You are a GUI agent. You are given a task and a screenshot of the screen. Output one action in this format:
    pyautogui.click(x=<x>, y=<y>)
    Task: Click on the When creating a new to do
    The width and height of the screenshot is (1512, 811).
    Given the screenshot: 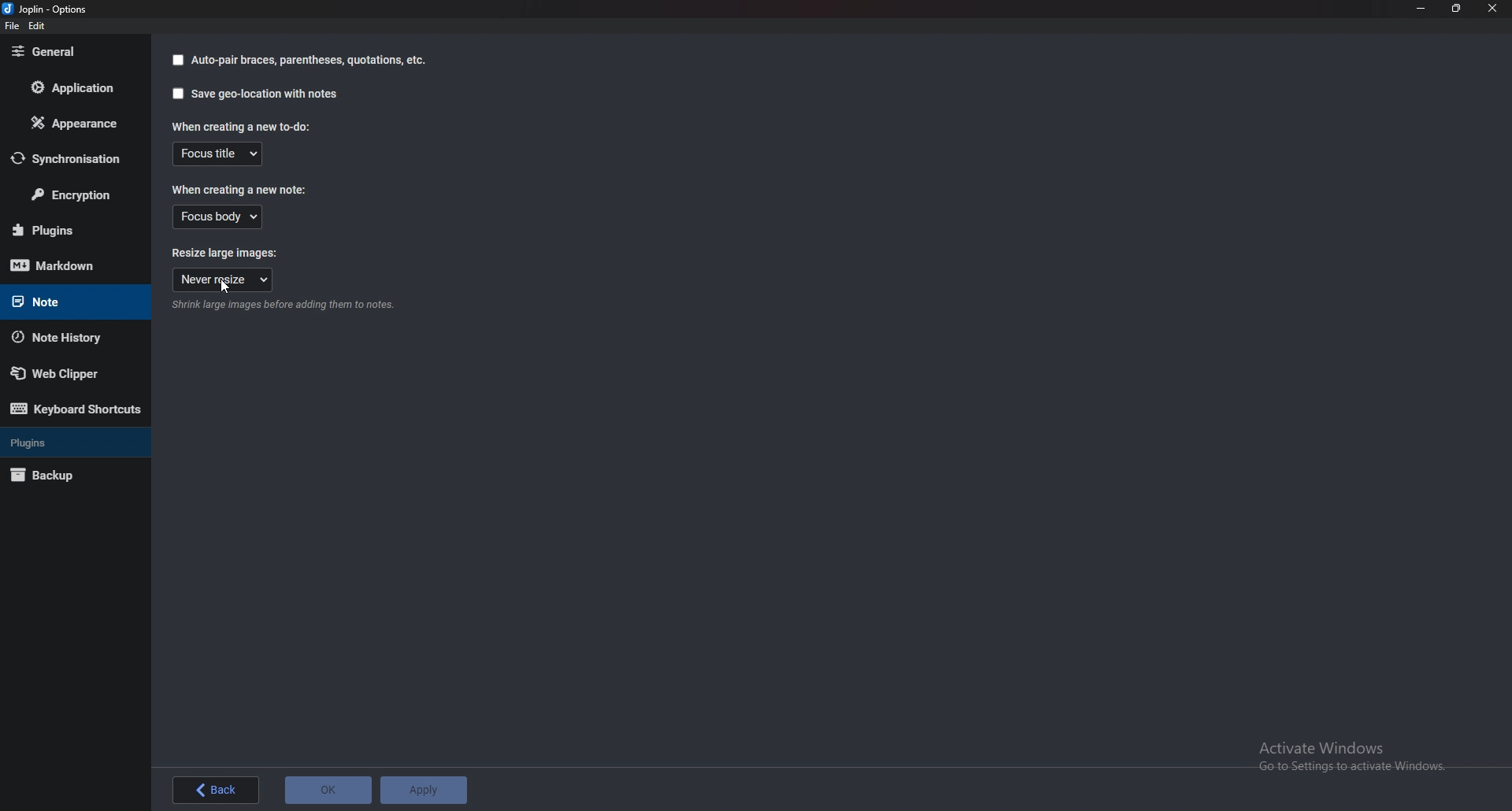 What is the action you would take?
    pyautogui.click(x=246, y=126)
    